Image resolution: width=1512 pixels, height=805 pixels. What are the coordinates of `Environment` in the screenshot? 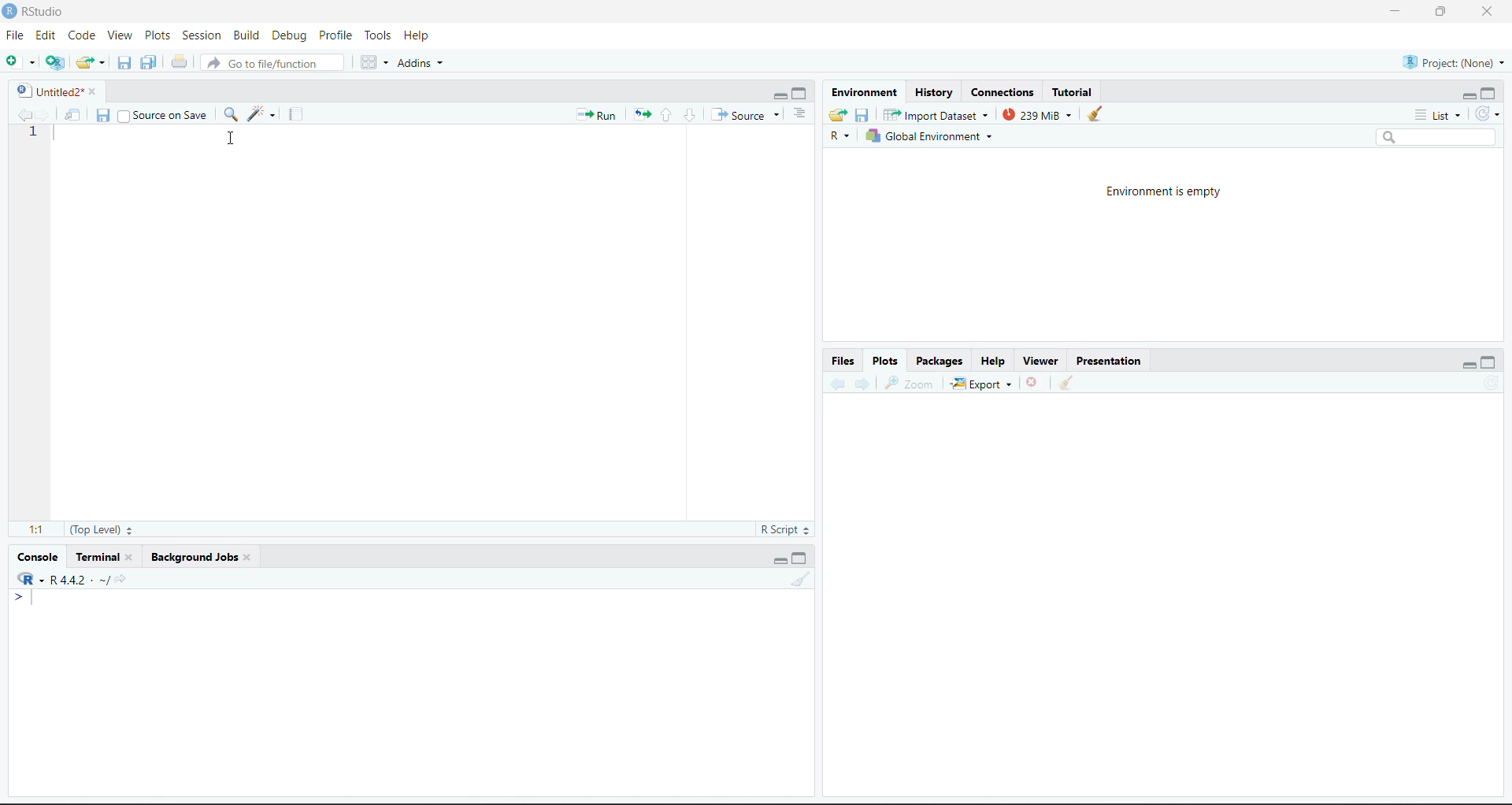 It's located at (865, 95).